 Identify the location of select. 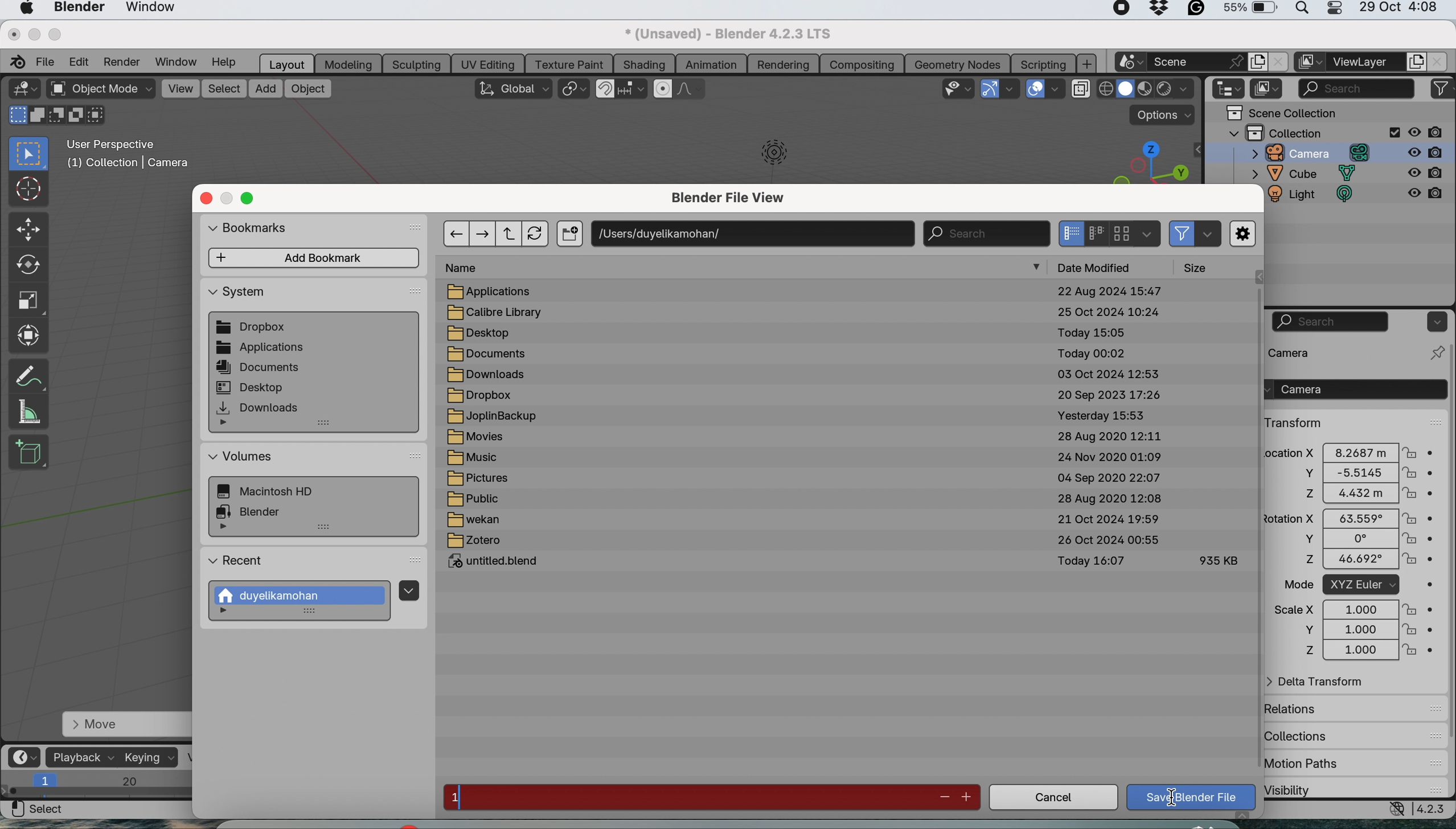
(224, 89).